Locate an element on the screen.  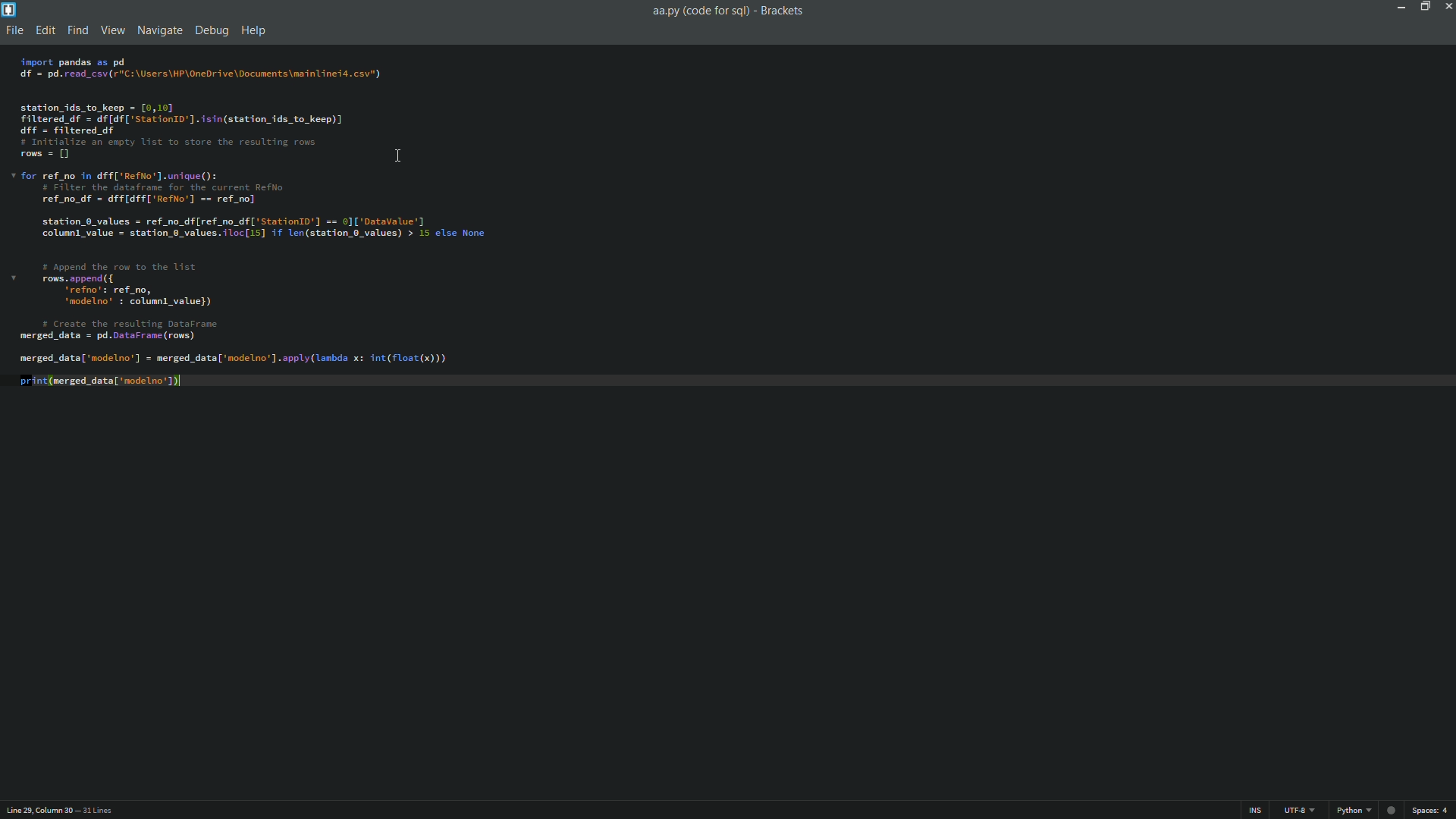
import pandas as pddf = pd.read_csv(r'C:\Users\HP\OneDr ive\Docunents\mainlinei4. csv")station_ids_to_keep = [0,10]Filtered df = df[df['Station1d']. isin(station_ids_to_keep)]ff = filtered df# Initialize an empty list to store the resulting rowsrows = []v for ref_no in dff['RefNo'].uniaue():# Filter the dataframe for the current RefNoref_no_df = dff[dff['Reflo’] == ref_no]station 0_values = ref_no_df[ref_no_df['Station1d'] == 0]['Datavalue']column value = station 0_values.iloc[i5] if len(station_0_values) > 15 else None# Append the row to the listv rows. append ({‘reo’: ref_no,‘modelno’ : columnl_value})# Create the resulting DataFramemerged_data = pd.DataFrane (rows)merged_data['nodelno’] = merged_data['nodelno']. apply (Lambda x: int(float(x)))print(merged_data['nodelno 1)| is located at coordinates (247, 236).